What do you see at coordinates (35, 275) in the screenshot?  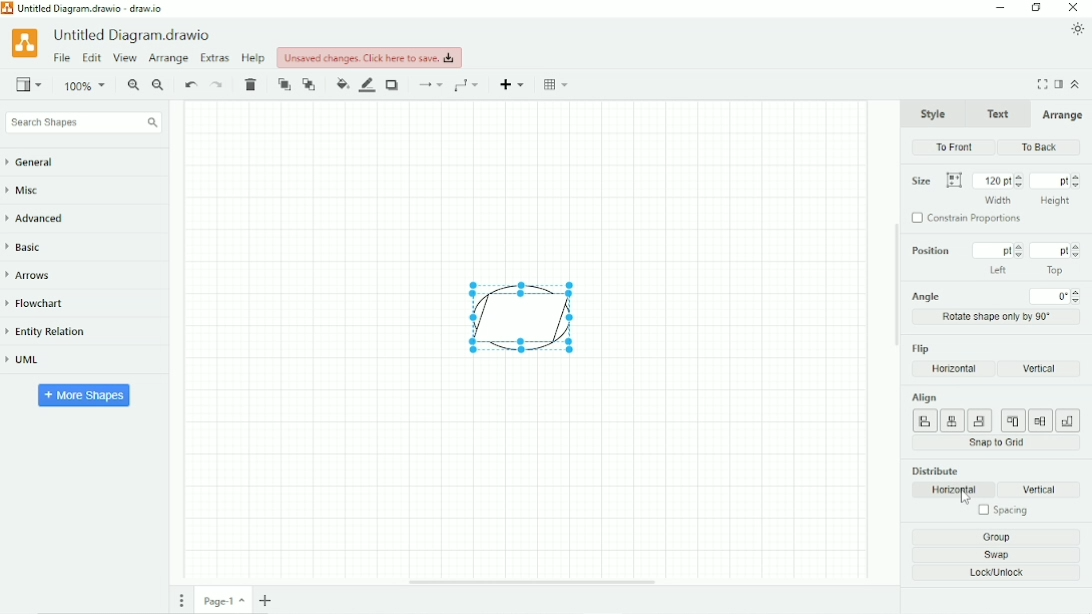 I see `Arrows` at bounding box center [35, 275].